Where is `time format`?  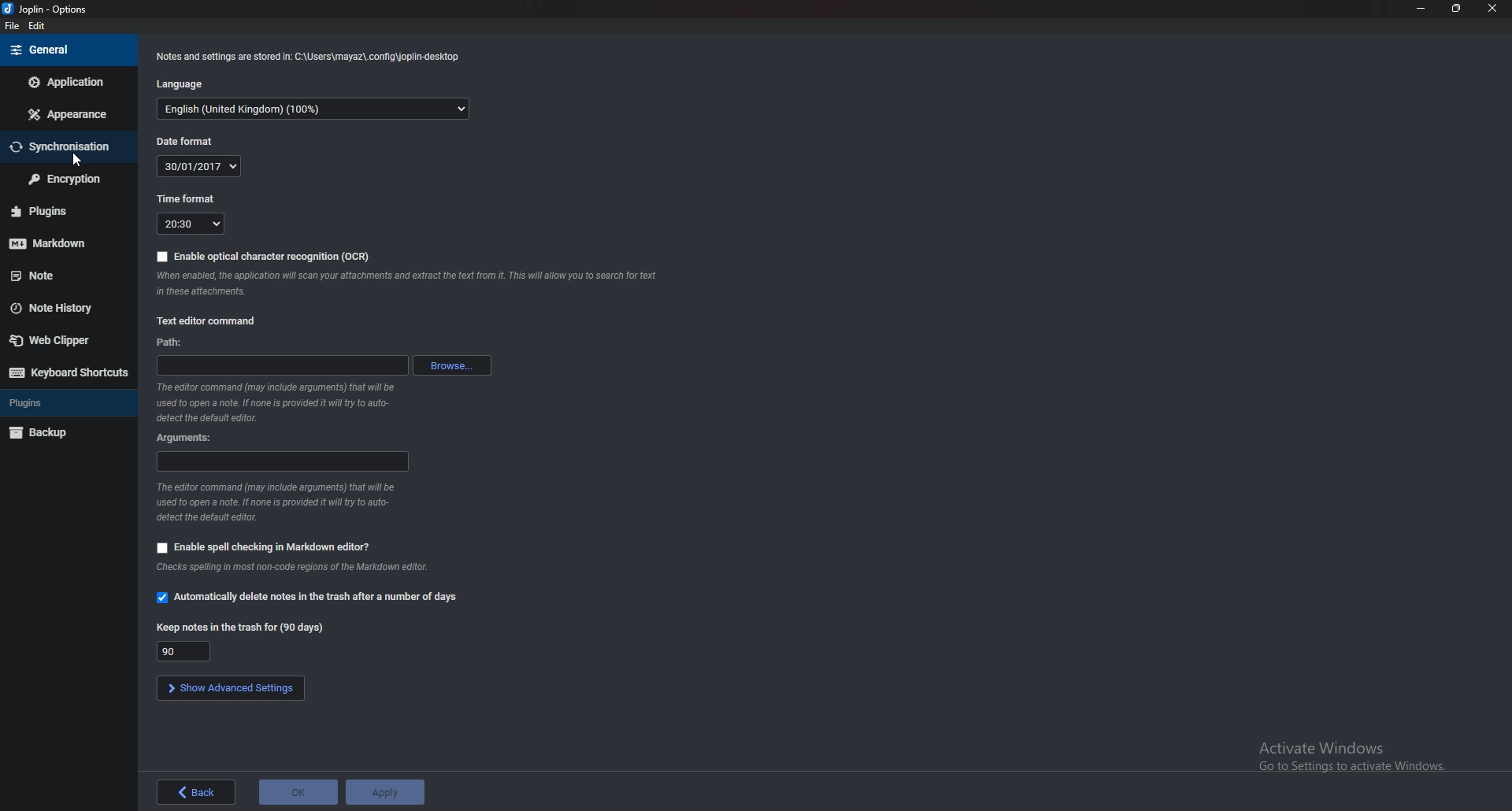 time format is located at coordinates (187, 197).